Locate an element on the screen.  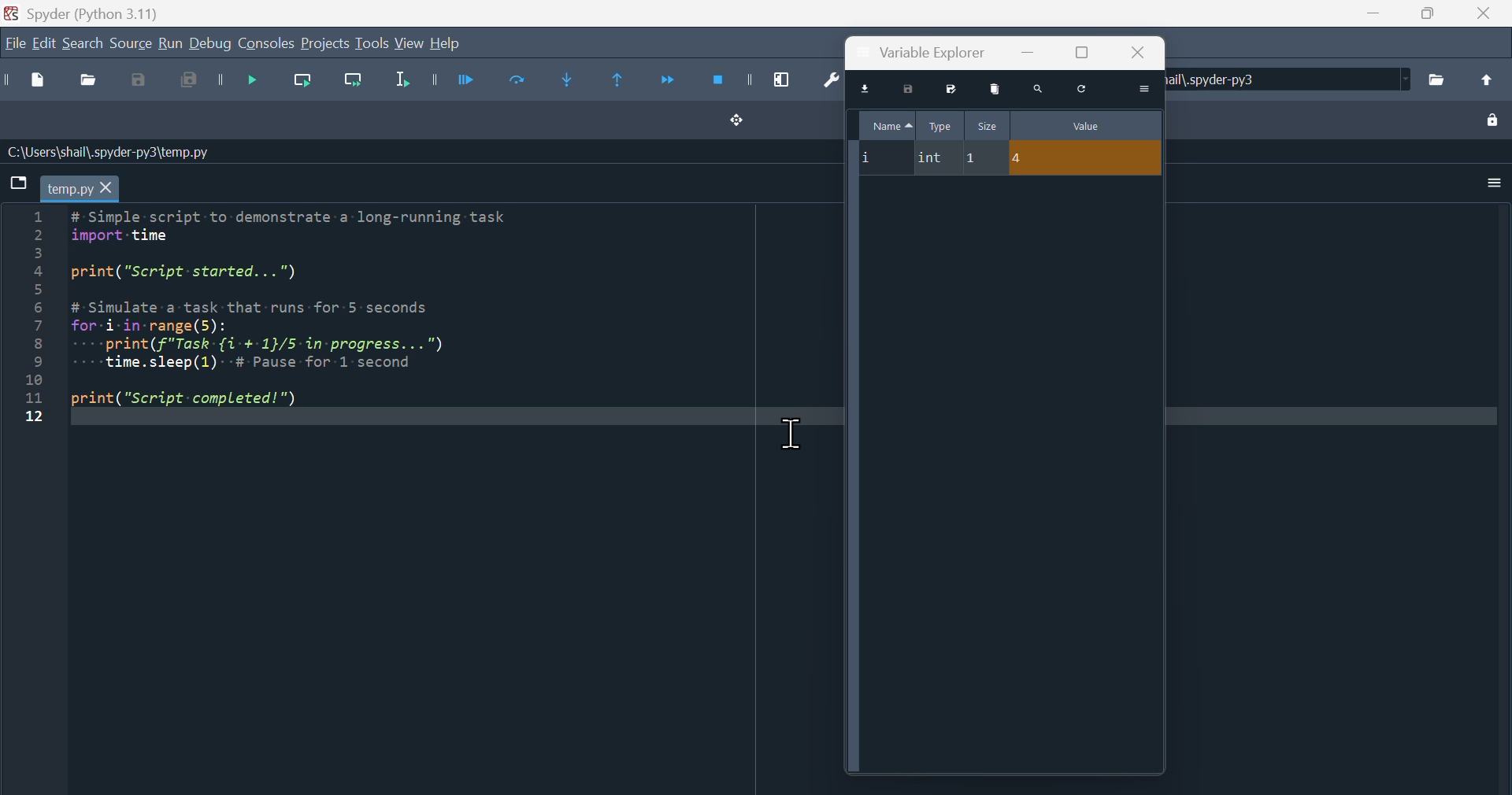
size is located at coordinates (987, 124).